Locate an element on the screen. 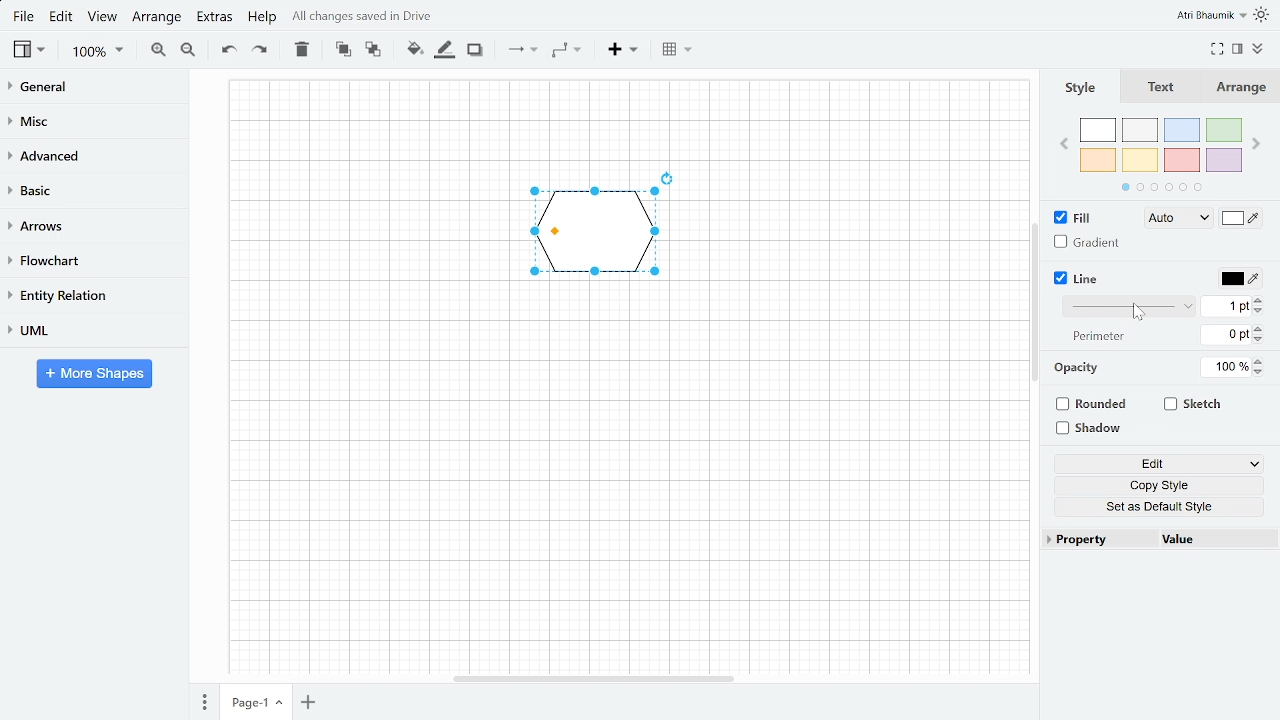  Increase line width is located at coordinates (1260, 301).